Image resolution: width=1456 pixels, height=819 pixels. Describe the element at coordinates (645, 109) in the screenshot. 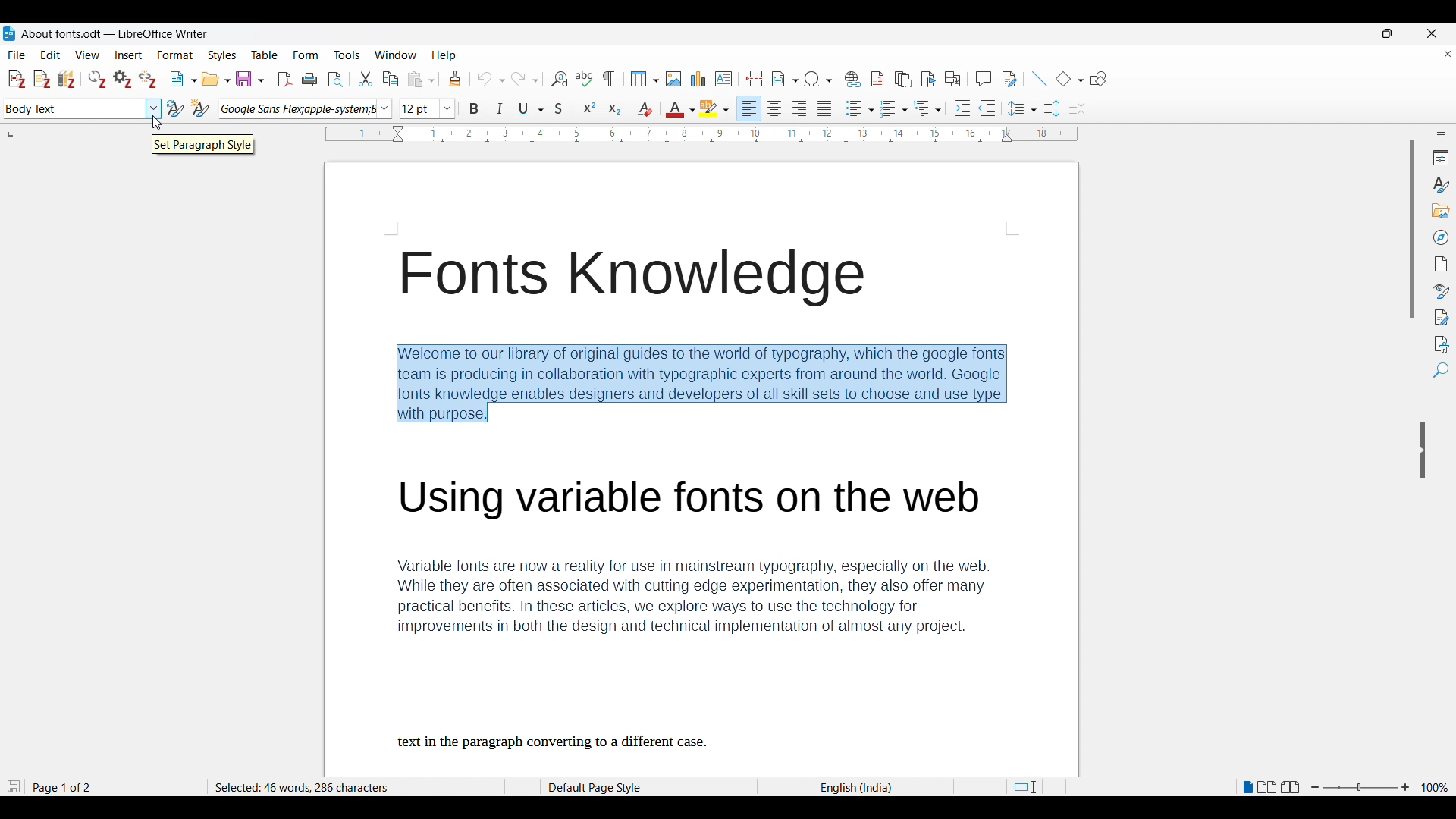

I see `Clear direct formatting` at that location.